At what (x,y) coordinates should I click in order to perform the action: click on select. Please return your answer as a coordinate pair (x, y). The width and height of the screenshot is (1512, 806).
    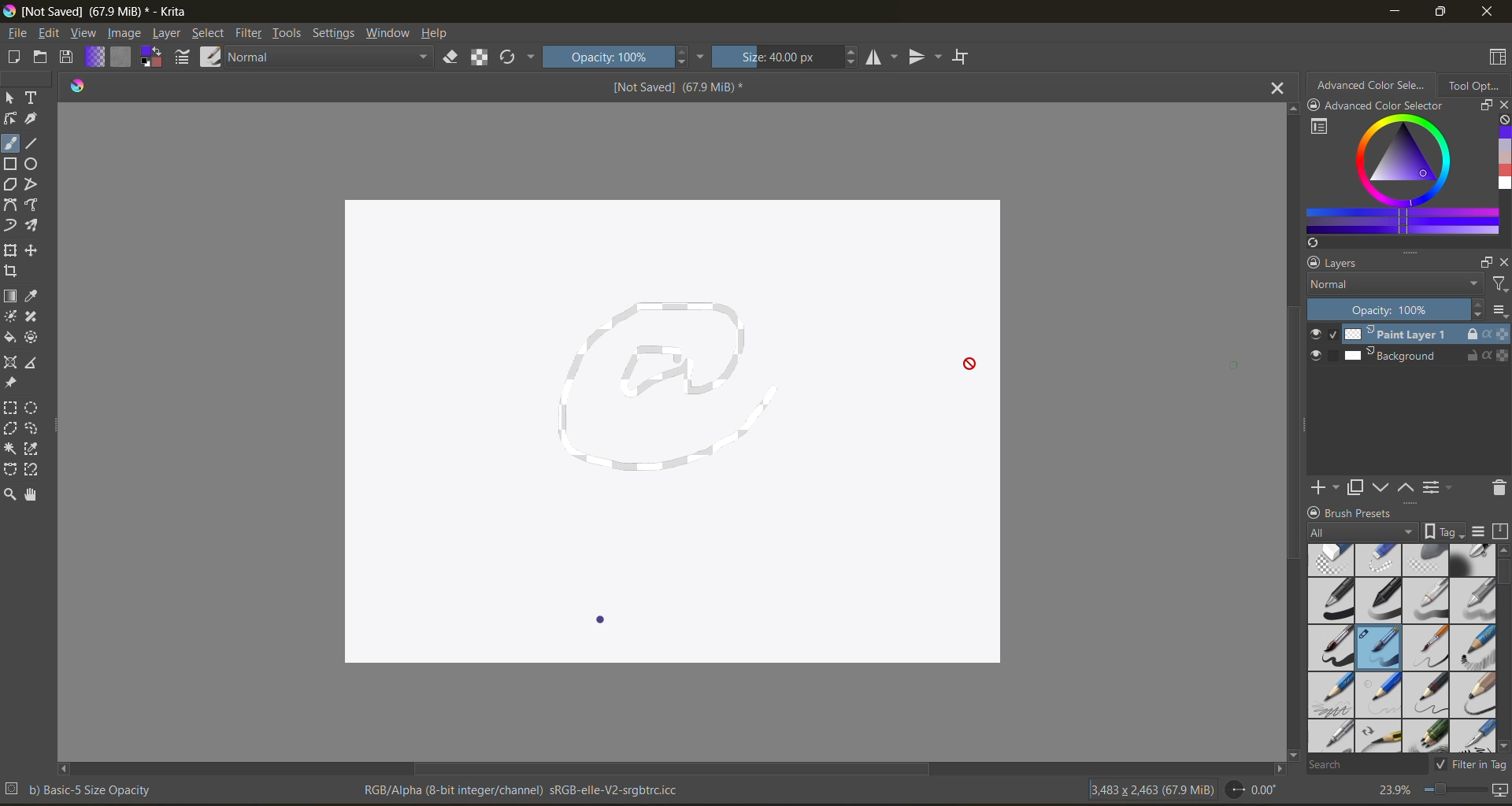
    Looking at the image, I should click on (209, 33).